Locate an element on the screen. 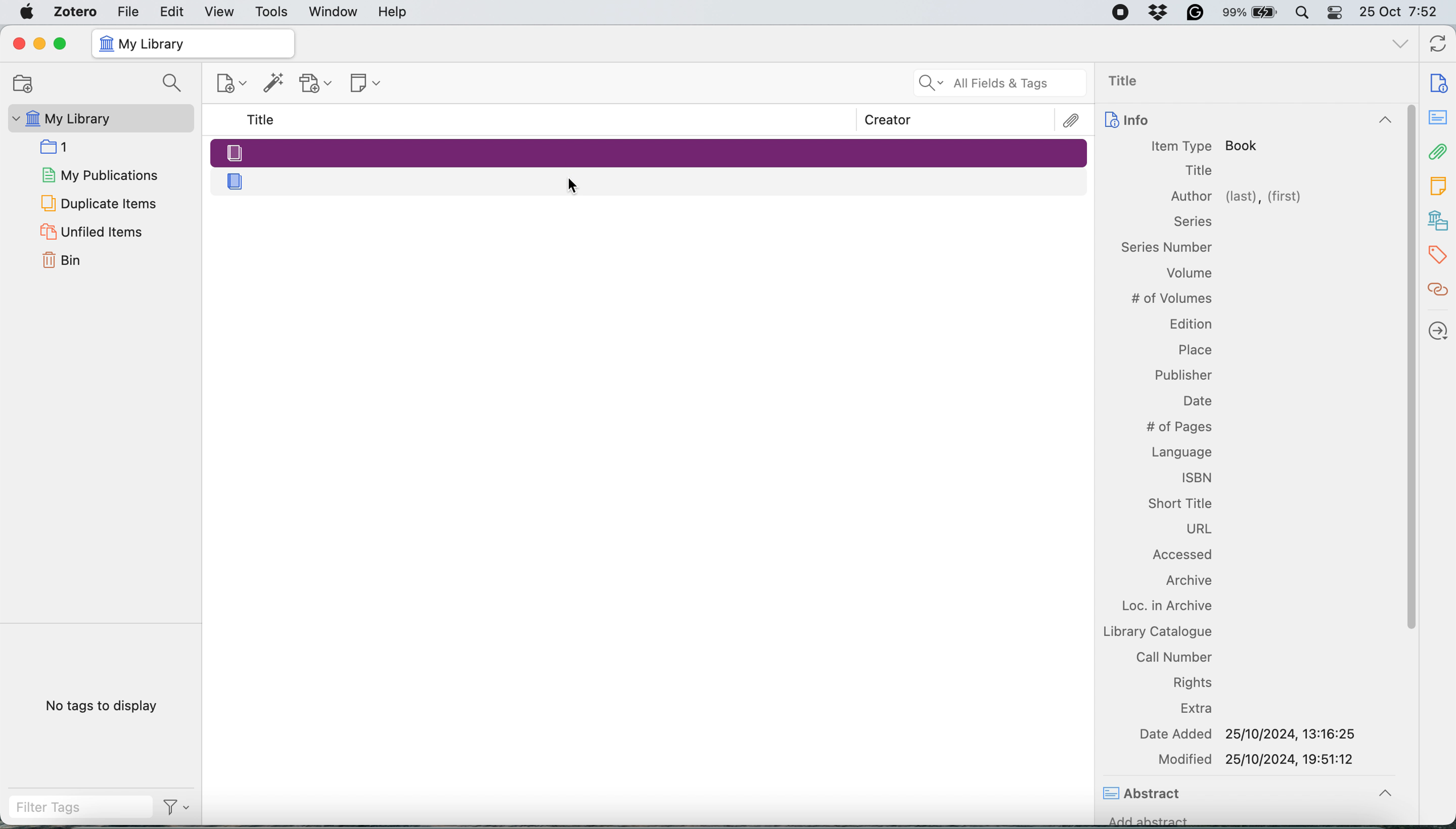 The width and height of the screenshot is (1456, 829). Modified 25/10/2024, 19:51:12 is located at coordinates (1258, 759).